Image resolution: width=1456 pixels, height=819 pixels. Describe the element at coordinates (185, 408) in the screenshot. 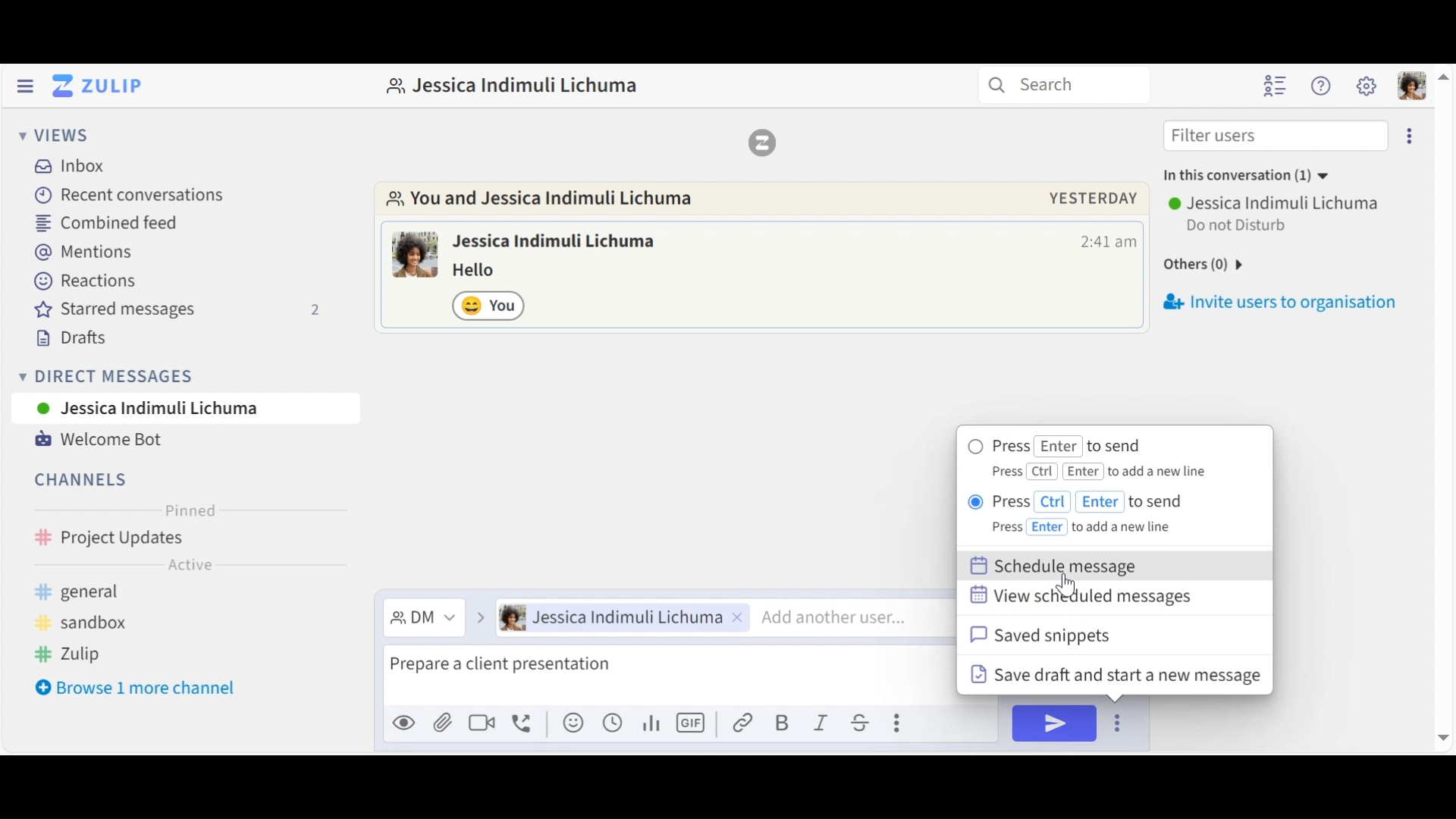

I see `User` at that location.